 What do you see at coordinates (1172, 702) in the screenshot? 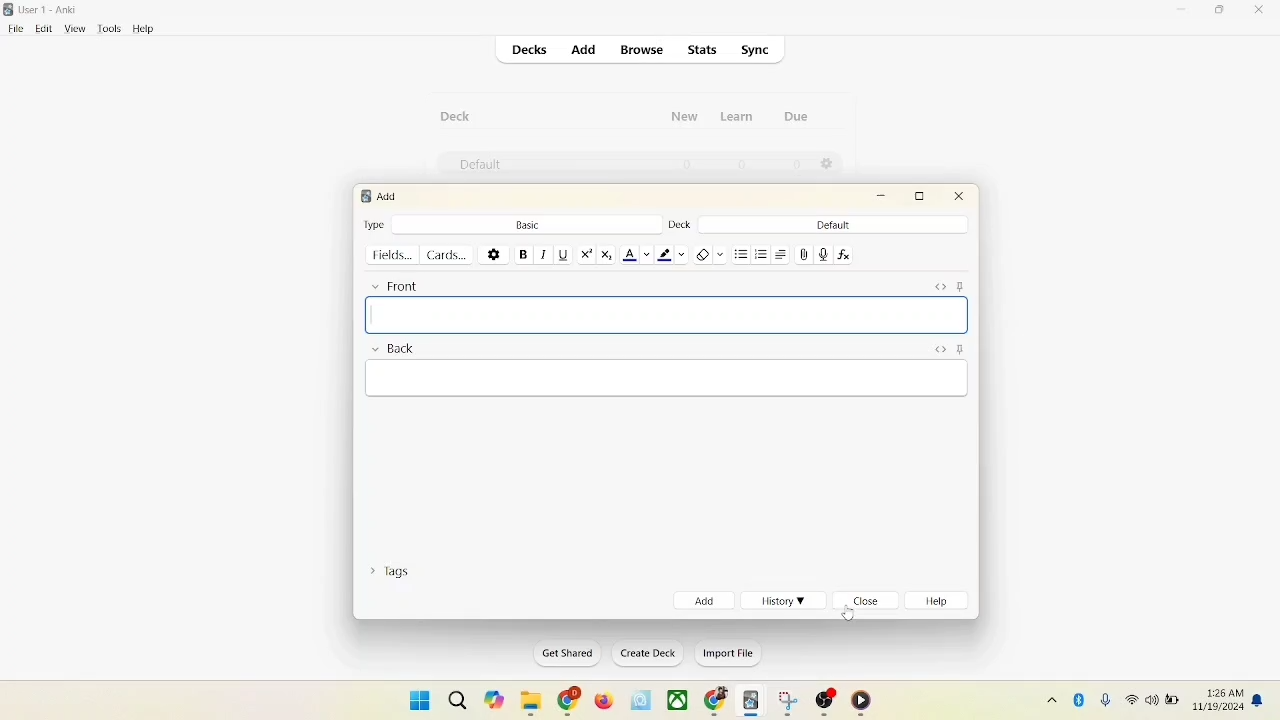
I see `battery` at bounding box center [1172, 702].